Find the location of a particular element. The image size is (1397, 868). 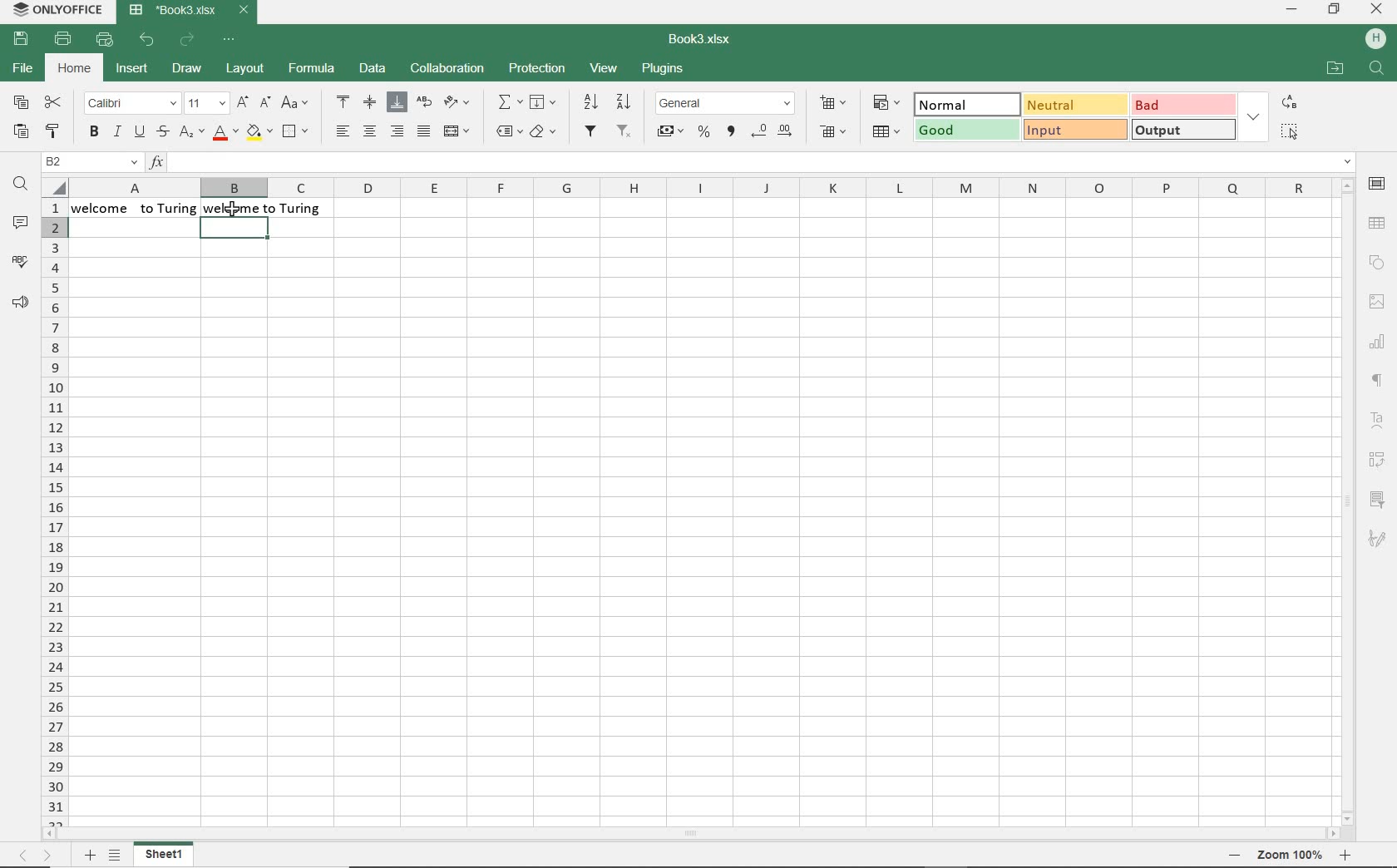

plugins is located at coordinates (664, 69).